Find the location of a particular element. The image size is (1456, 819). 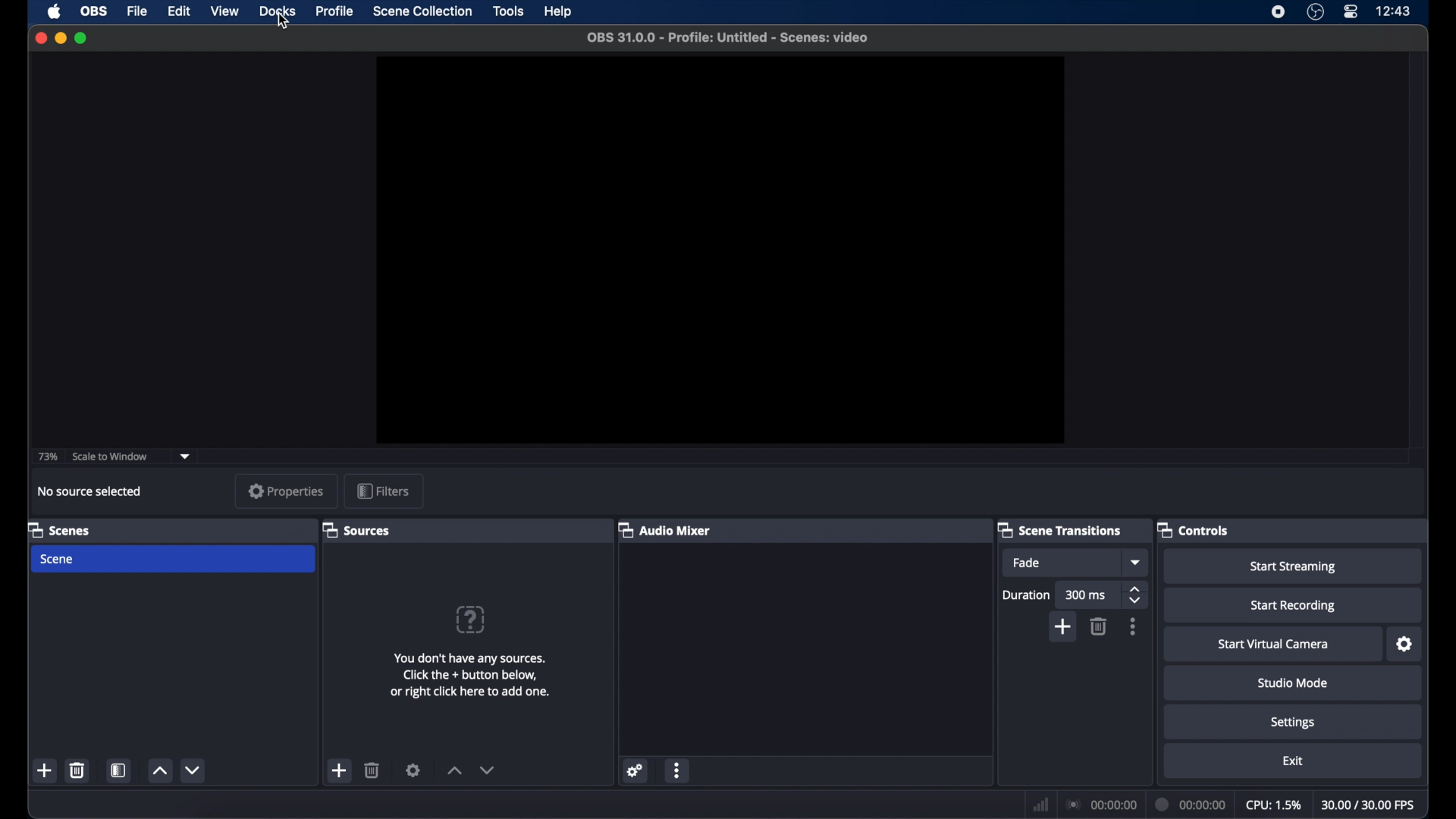

300 ms is located at coordinates (1086, 595).